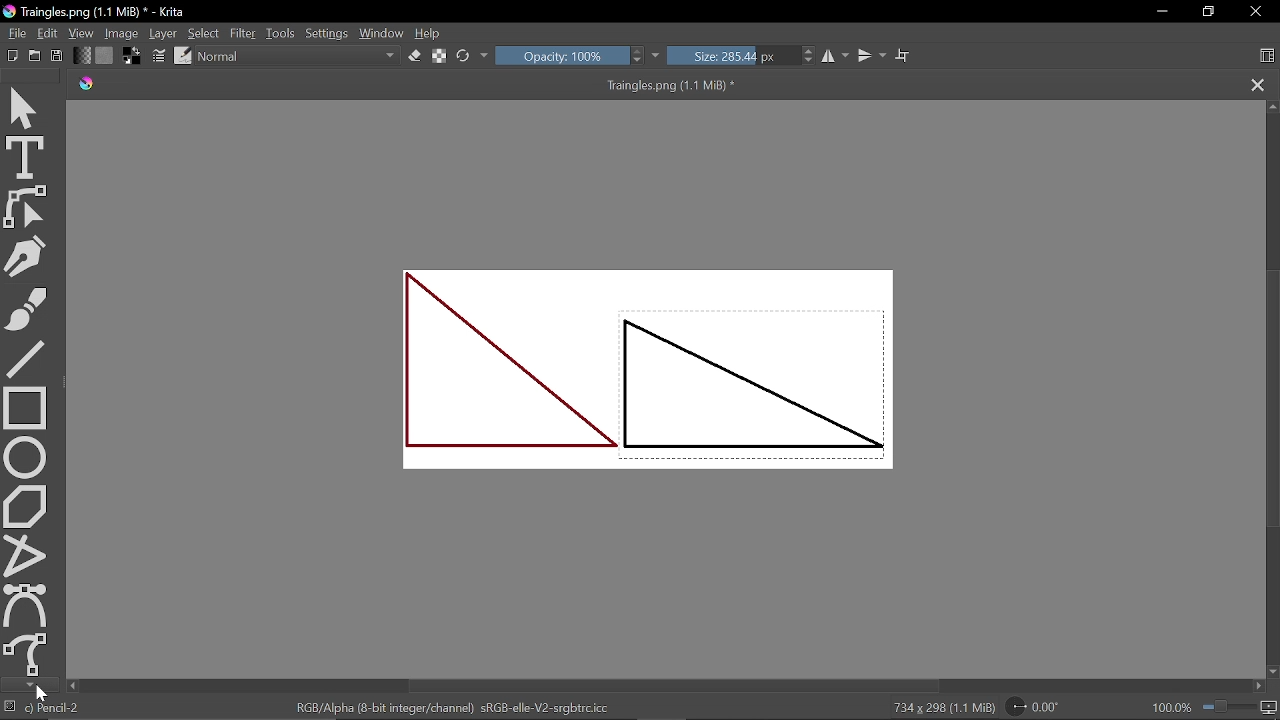 This screenshot has height=720, width=1280. I want to click on Save, so click(56, 57).